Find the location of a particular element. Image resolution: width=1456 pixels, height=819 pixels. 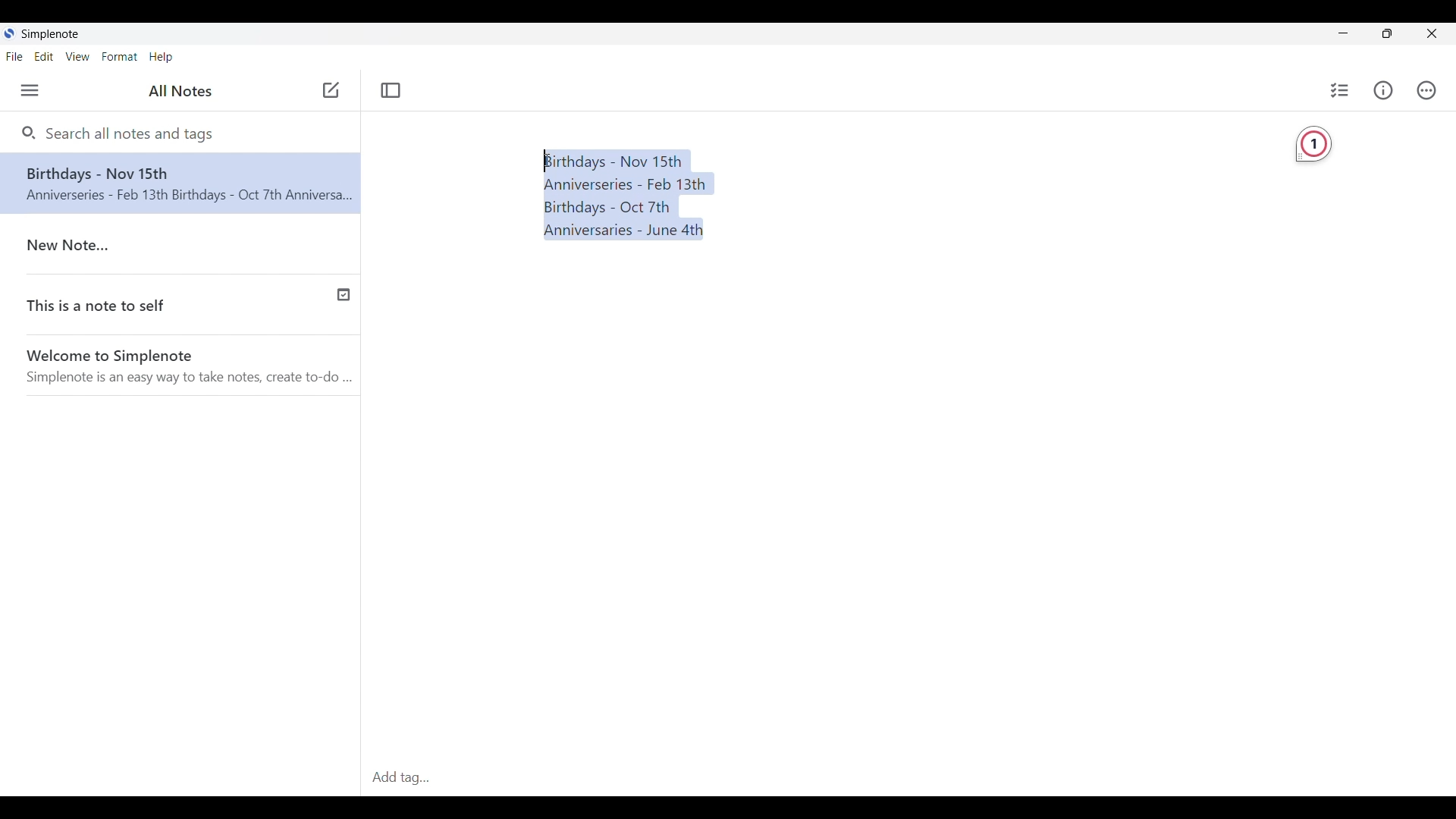

Birthdays and Anniversaries dates(Text selected) is located at coordinates (631, 193).